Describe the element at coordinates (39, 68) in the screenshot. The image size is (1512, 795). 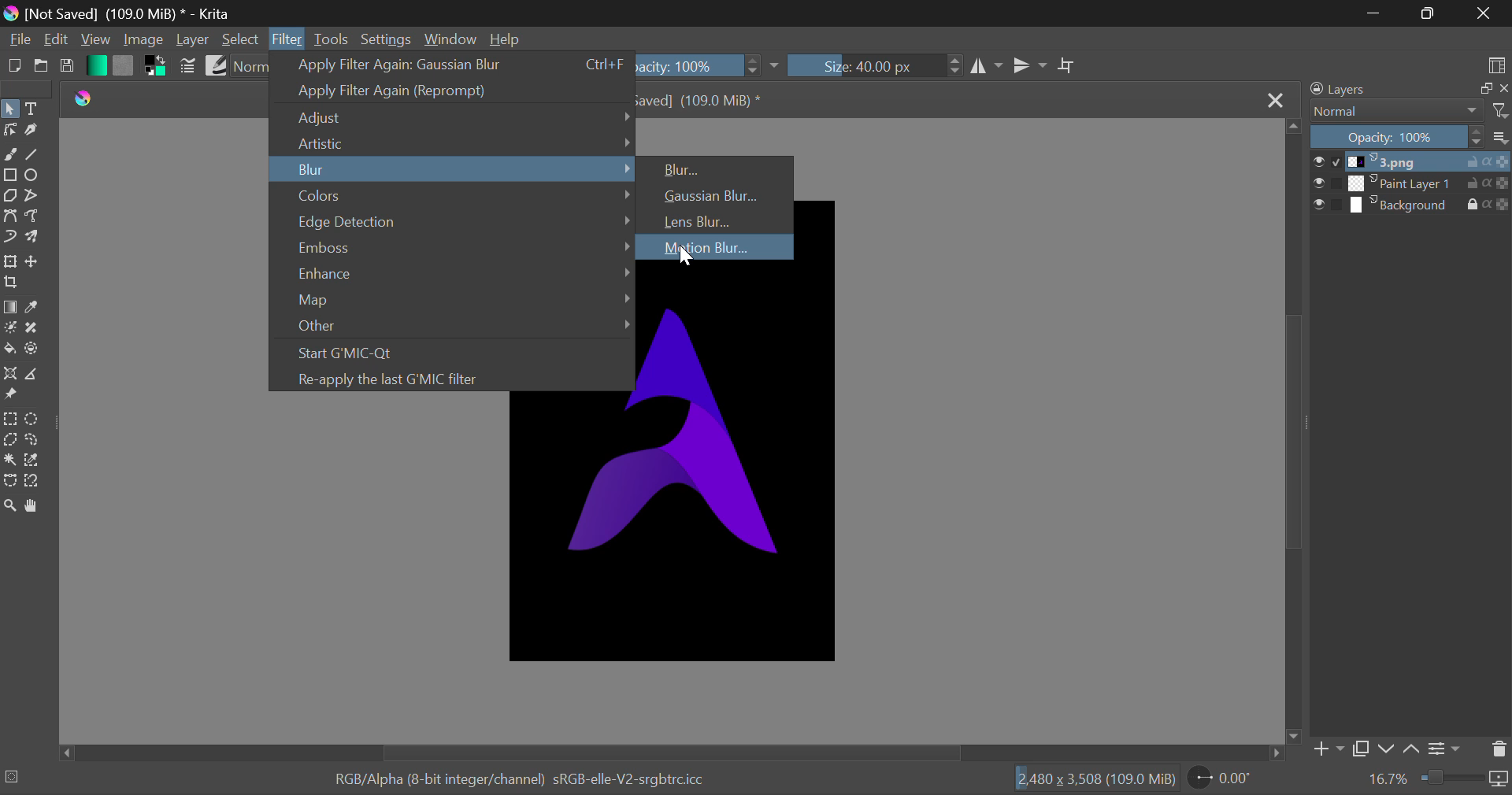
I see `Open` at that location.